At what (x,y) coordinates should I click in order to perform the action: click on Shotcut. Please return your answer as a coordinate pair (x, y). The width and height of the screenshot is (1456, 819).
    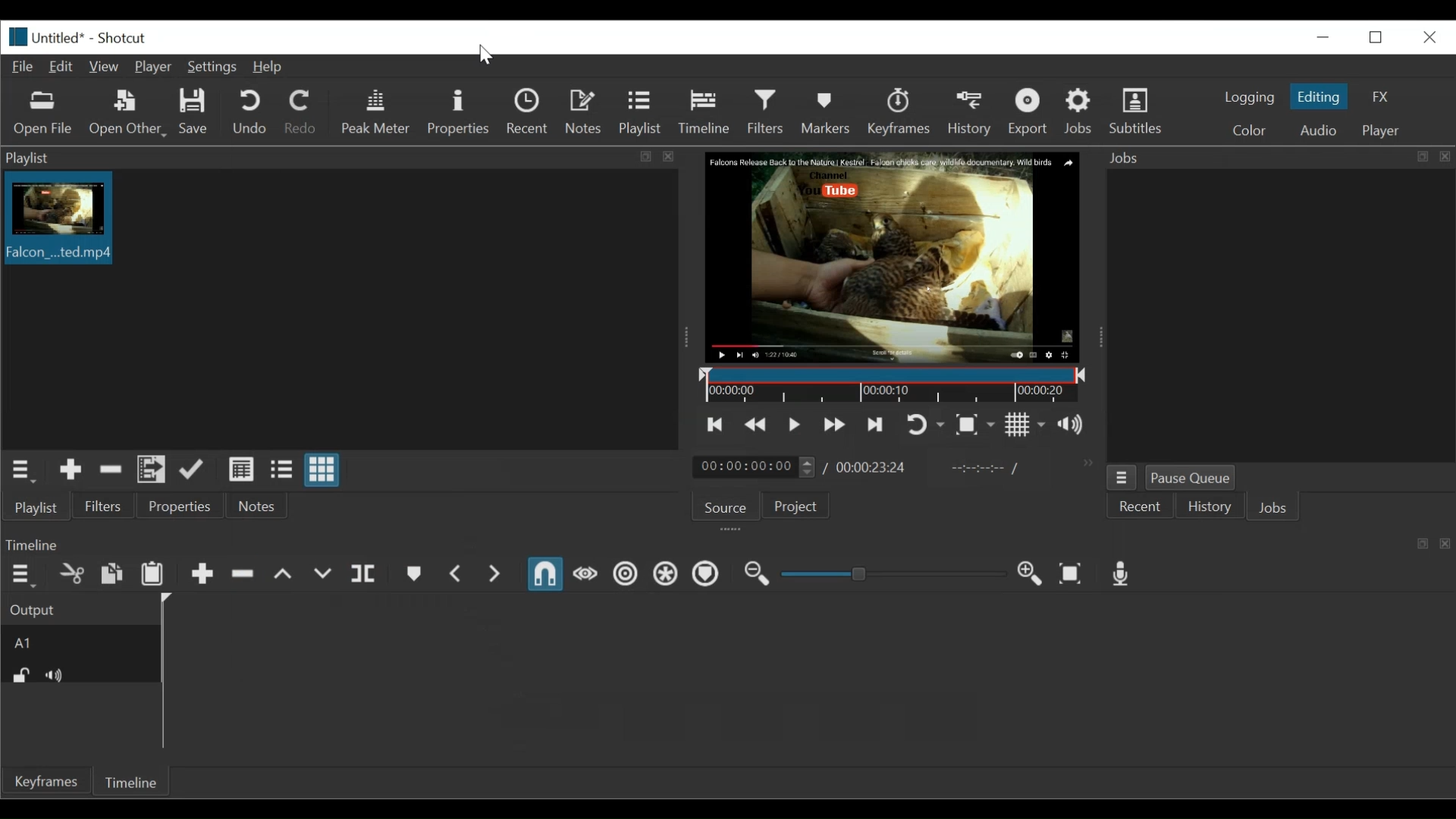
    Looking at the image, I should click on (122, 39).